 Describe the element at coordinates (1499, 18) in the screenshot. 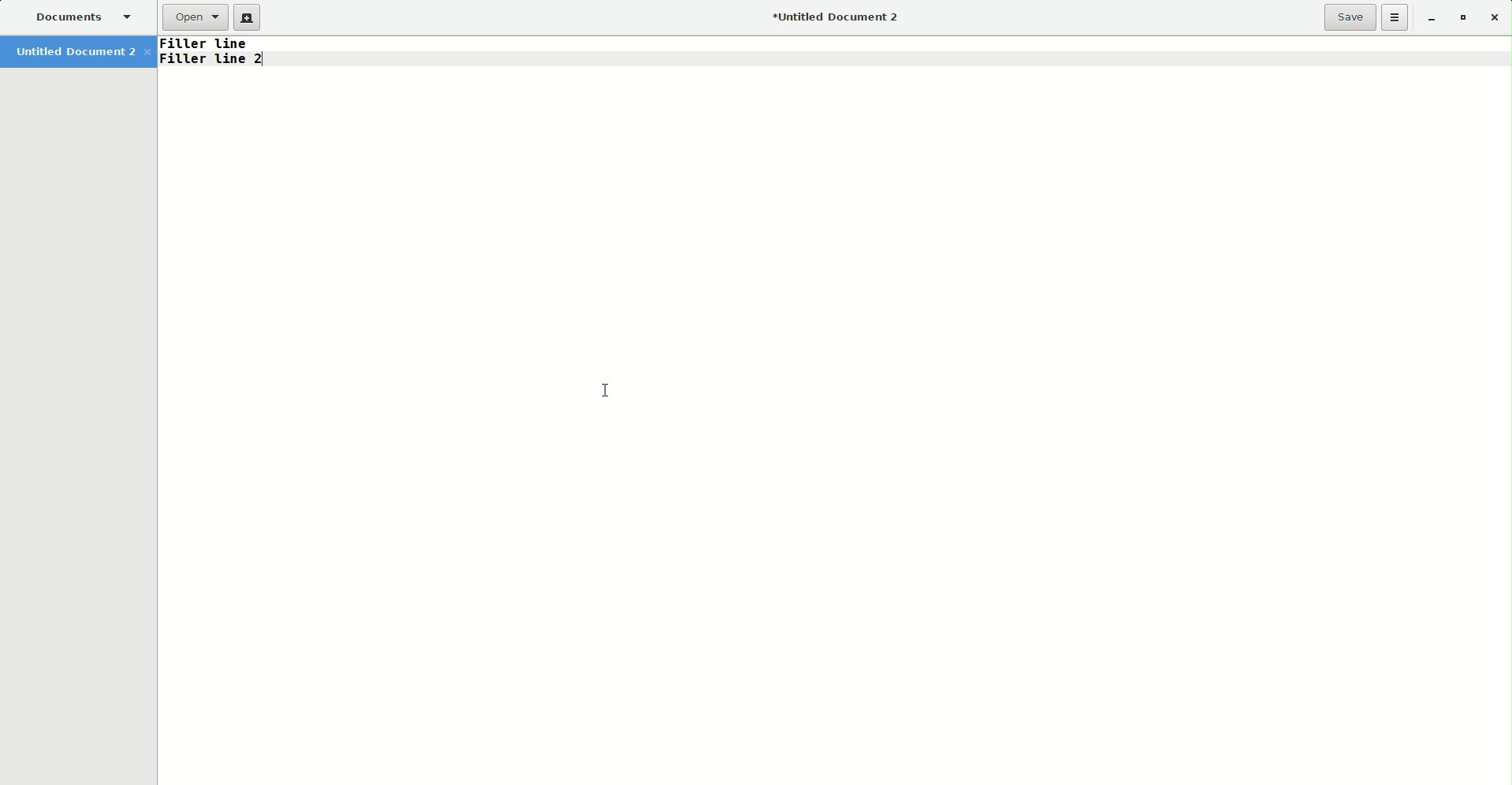

I see `Close` at that location.